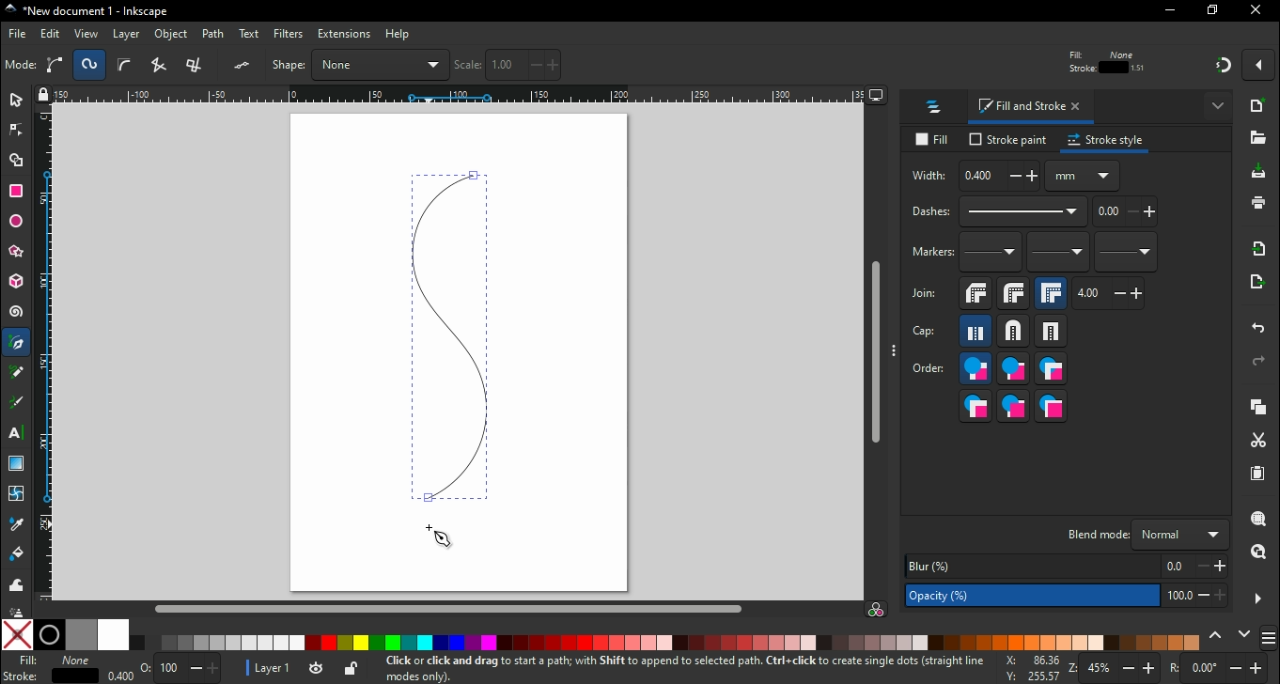 The height and width of the screenshot is (684, 1280). What do you see at coordinates (1224, 69) in the screenshot?
I see `snapping: on/off` at bounding box center [1224, 69].